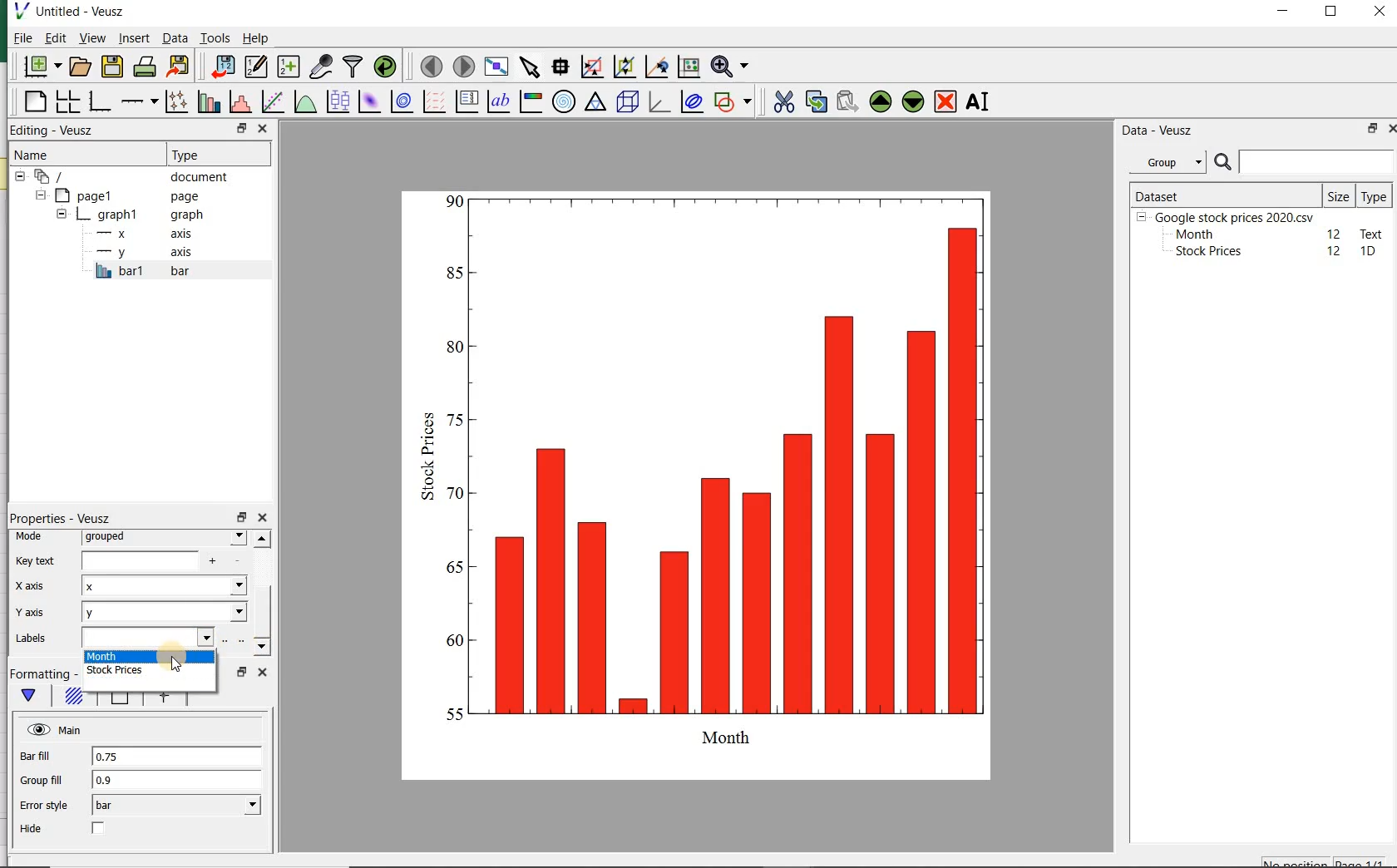 Image resolution: width=1397 pixels, height=868 pixels. I want to click on click to recenter graph axes, so click(654, 67).